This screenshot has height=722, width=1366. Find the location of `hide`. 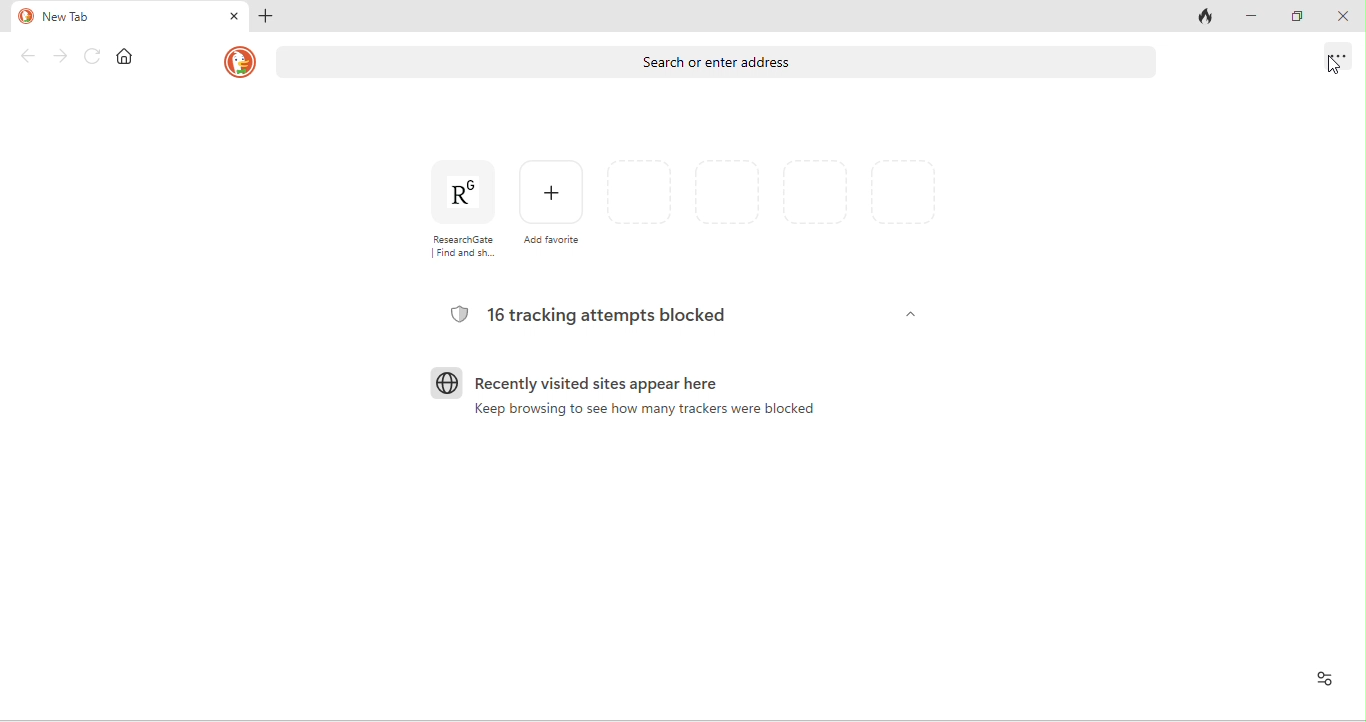

hide is located at coordinates (908, 315).